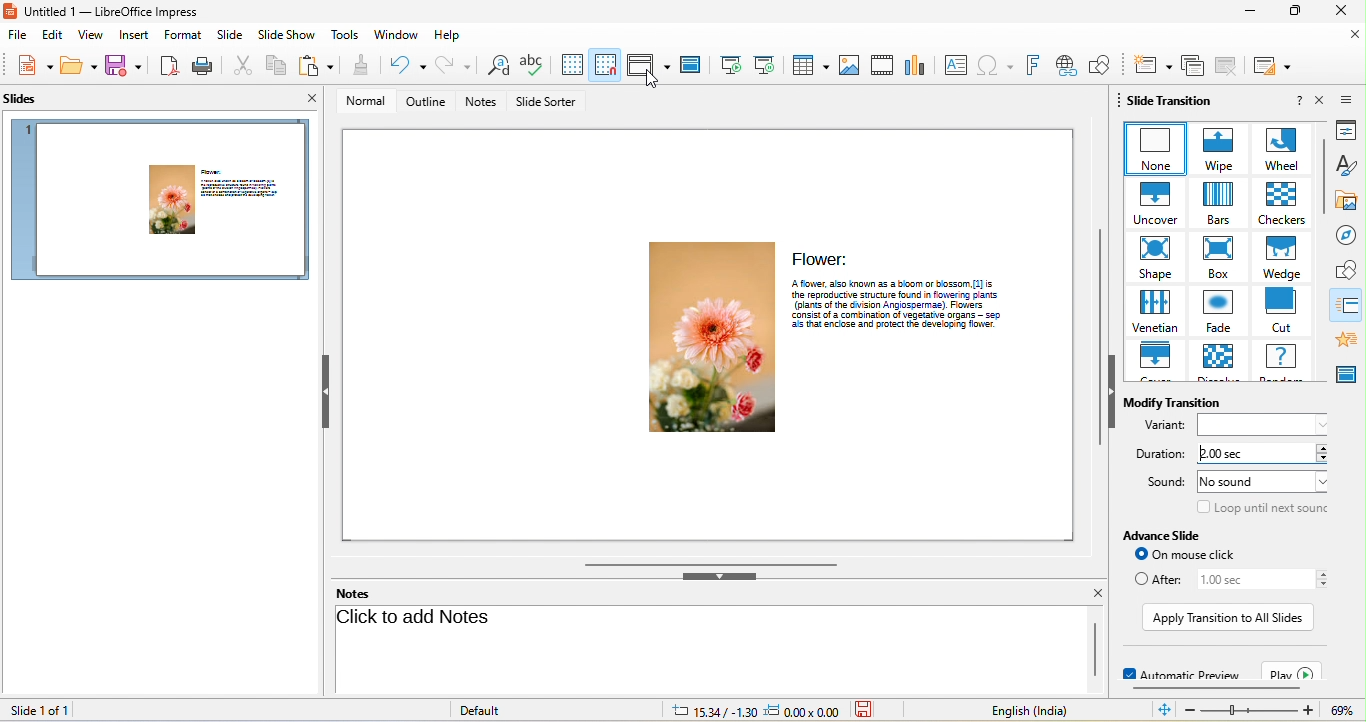  I want to click on current zoom, so click(1347, 711).